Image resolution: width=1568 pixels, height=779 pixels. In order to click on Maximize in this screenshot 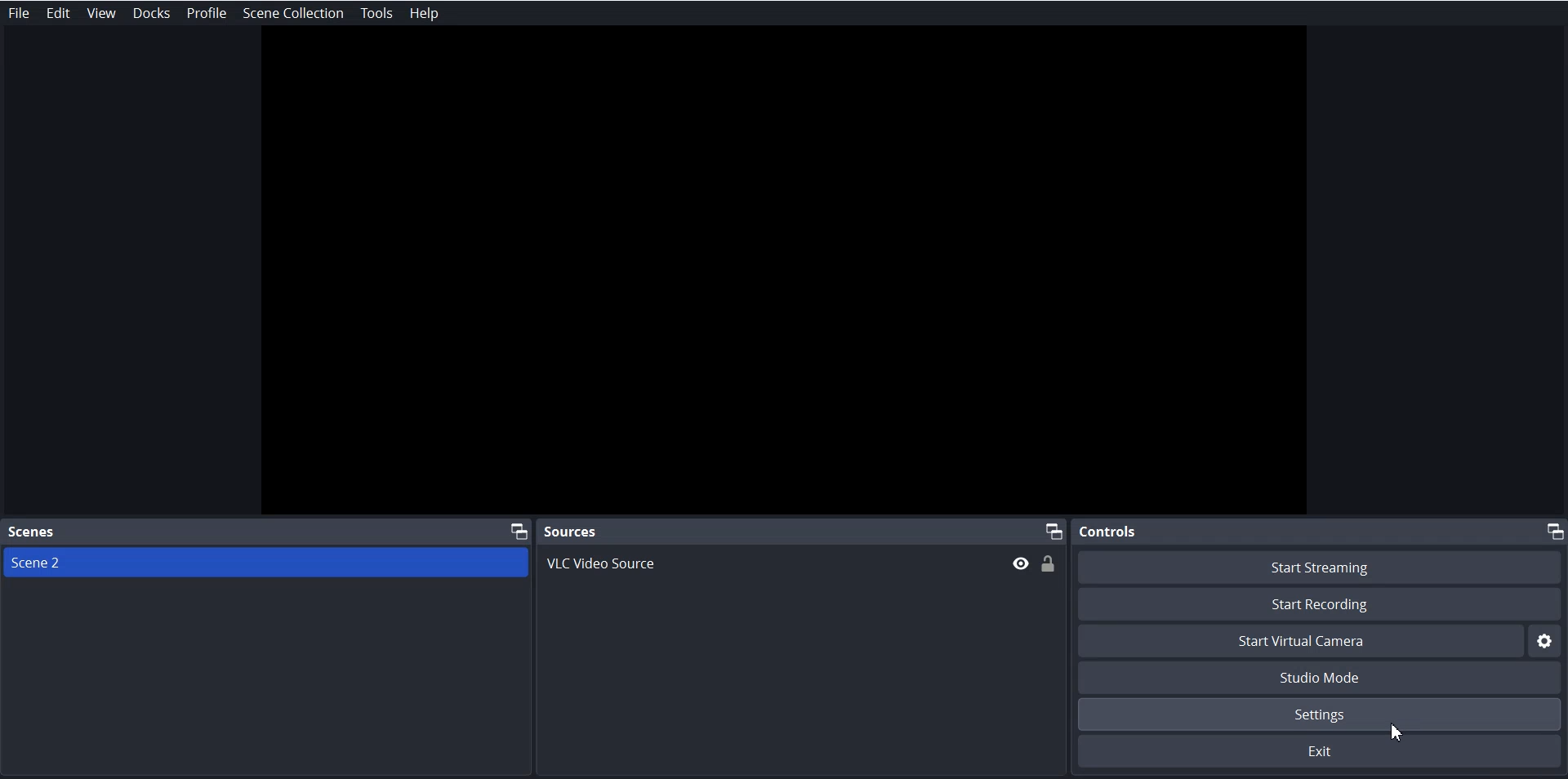, I will do `click(1053, 532)`.